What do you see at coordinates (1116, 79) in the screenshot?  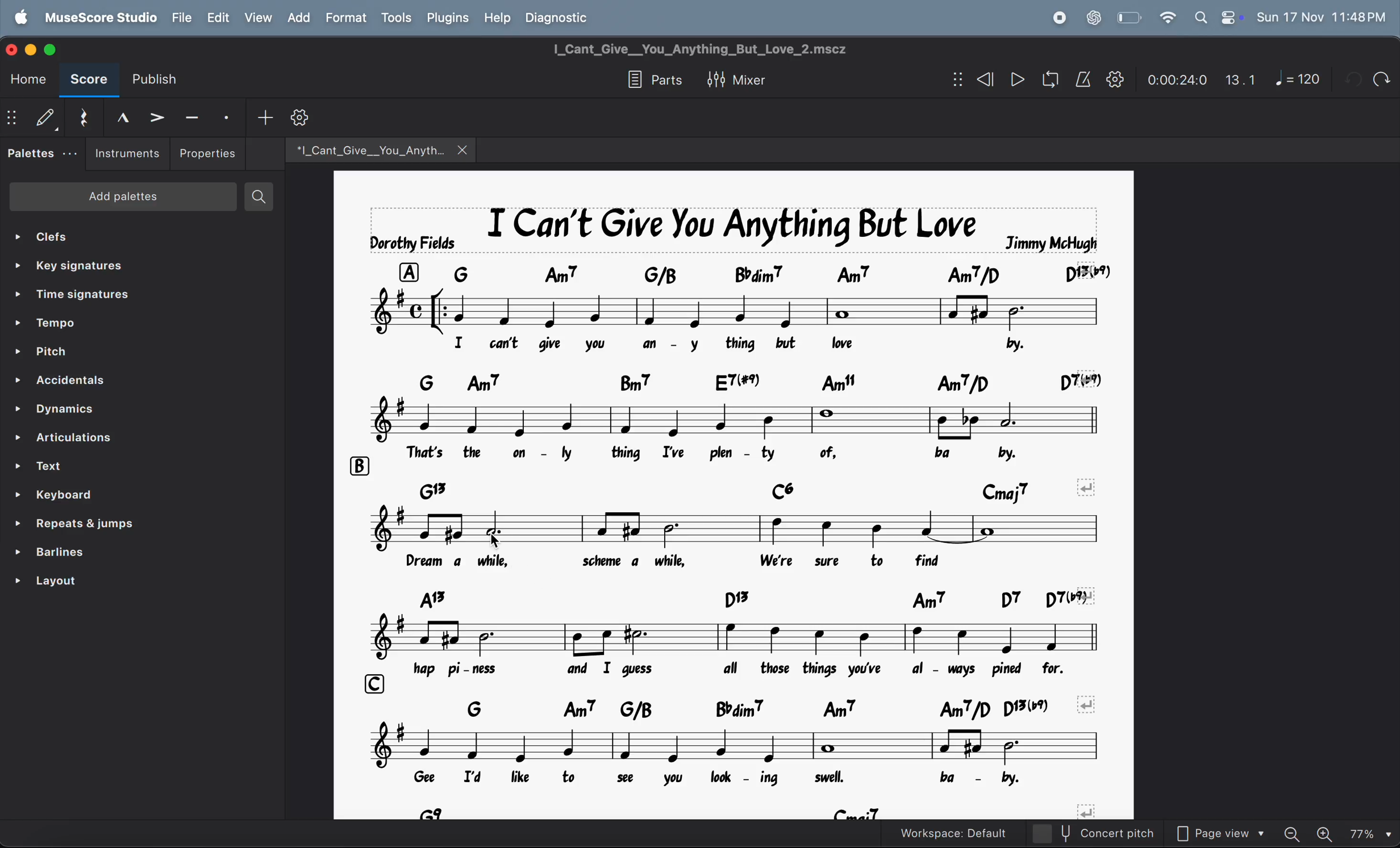 I see `settings playback` at bounding box center [1116, 79].